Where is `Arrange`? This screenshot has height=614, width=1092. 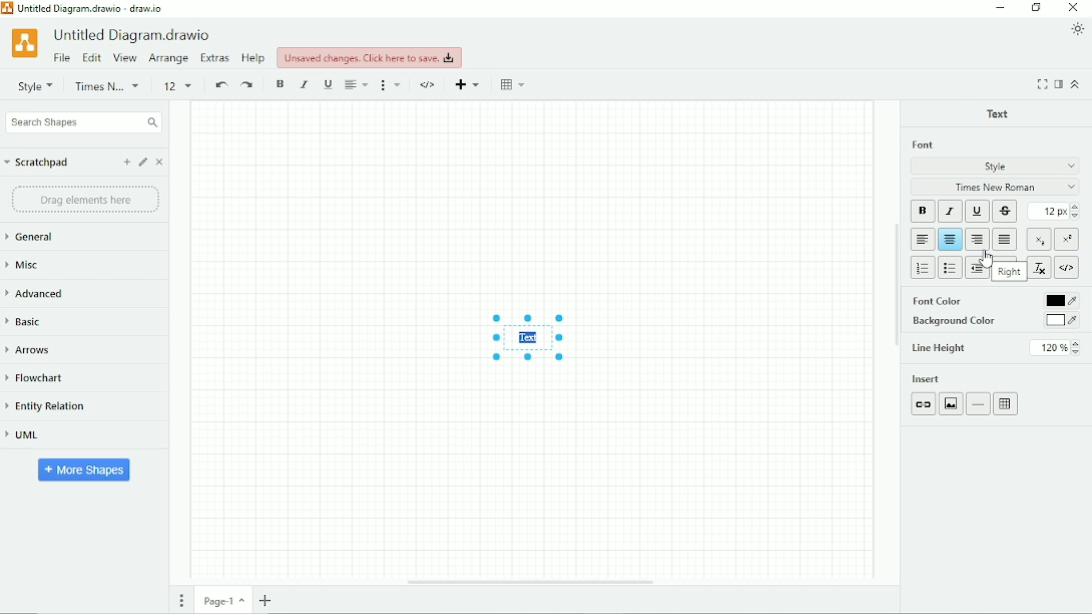 Arrange is located at coordinates (169, 59).